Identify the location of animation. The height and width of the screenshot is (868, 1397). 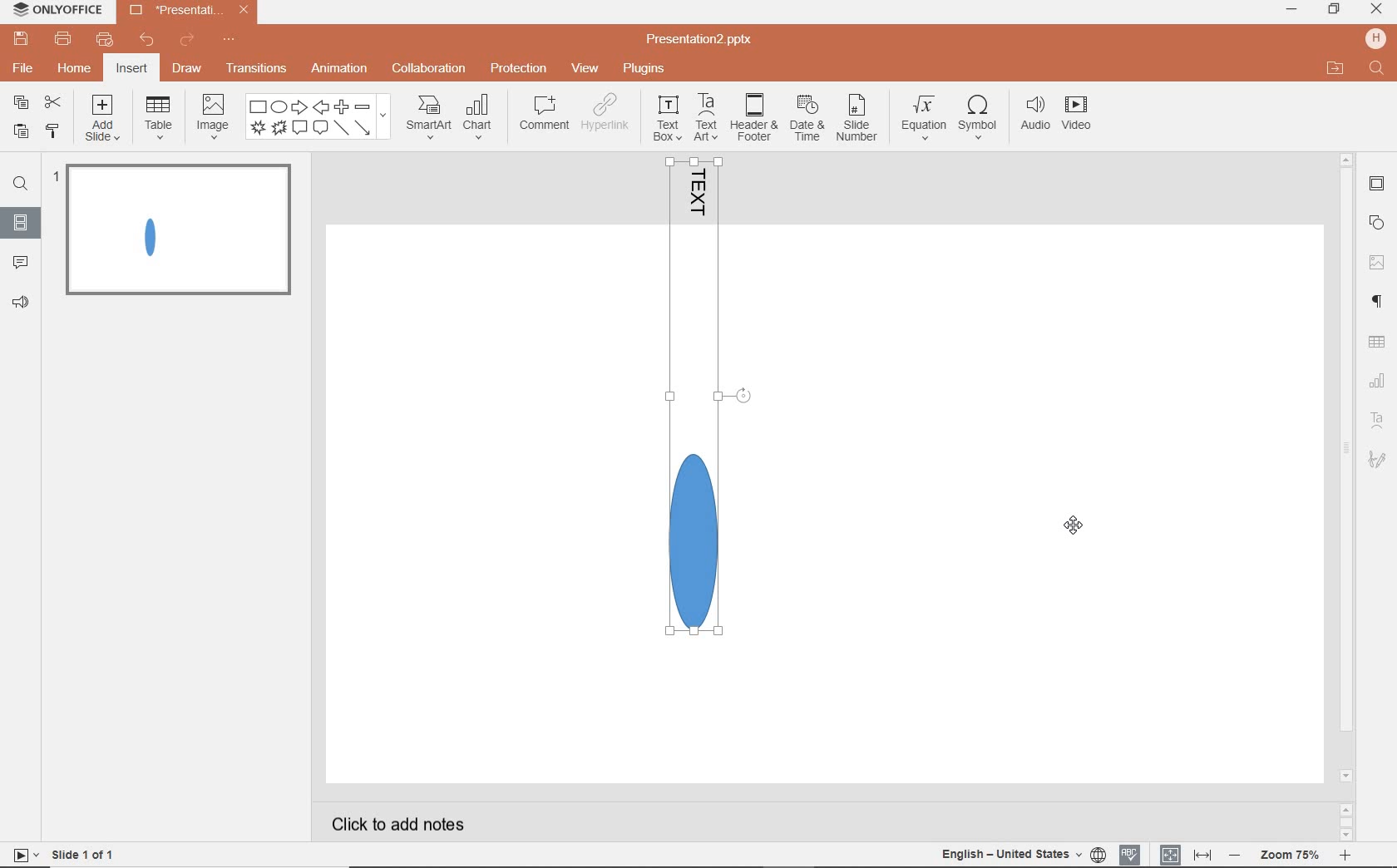
(338, 70).